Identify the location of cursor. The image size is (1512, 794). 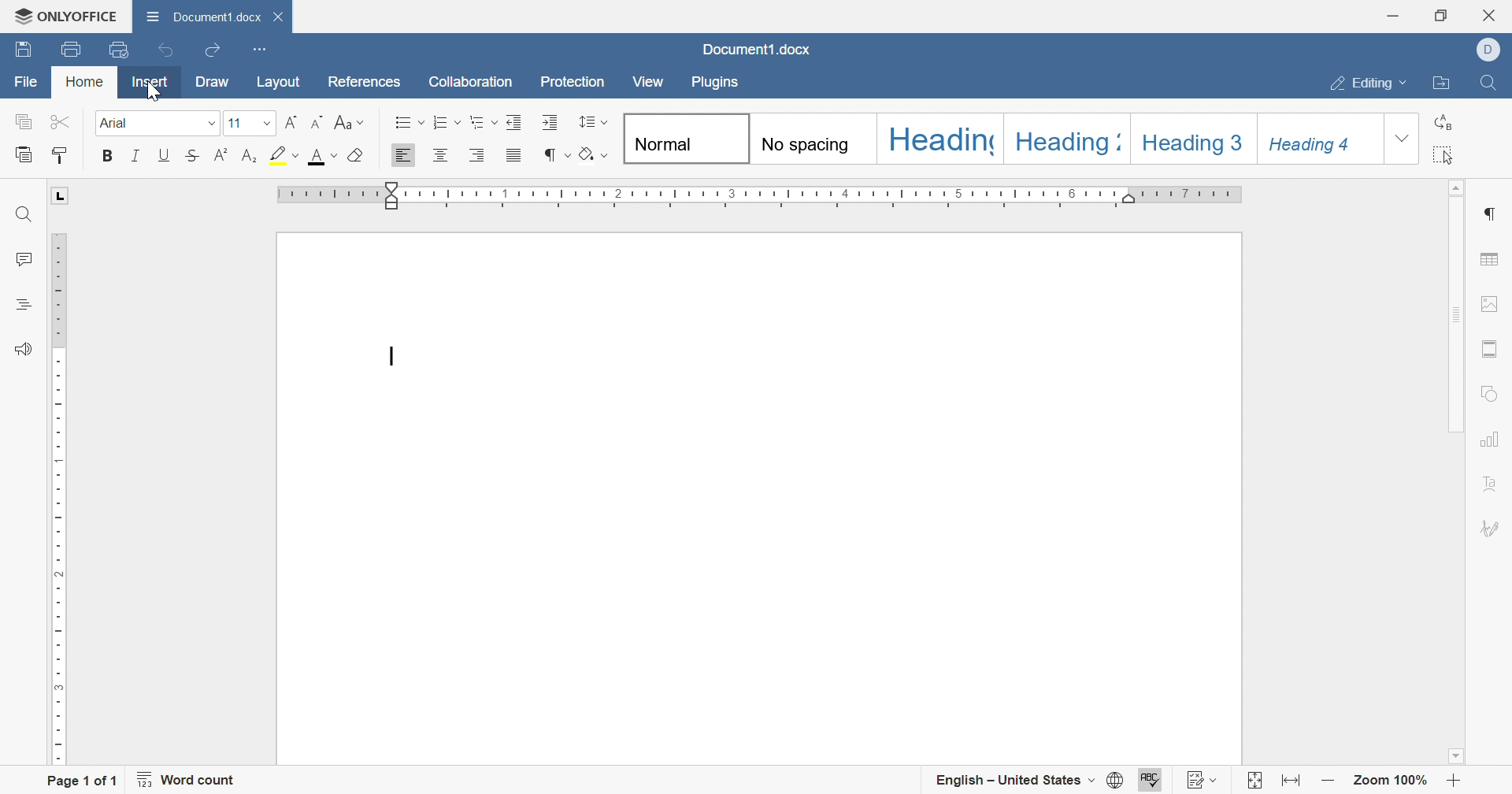
(157, 93).